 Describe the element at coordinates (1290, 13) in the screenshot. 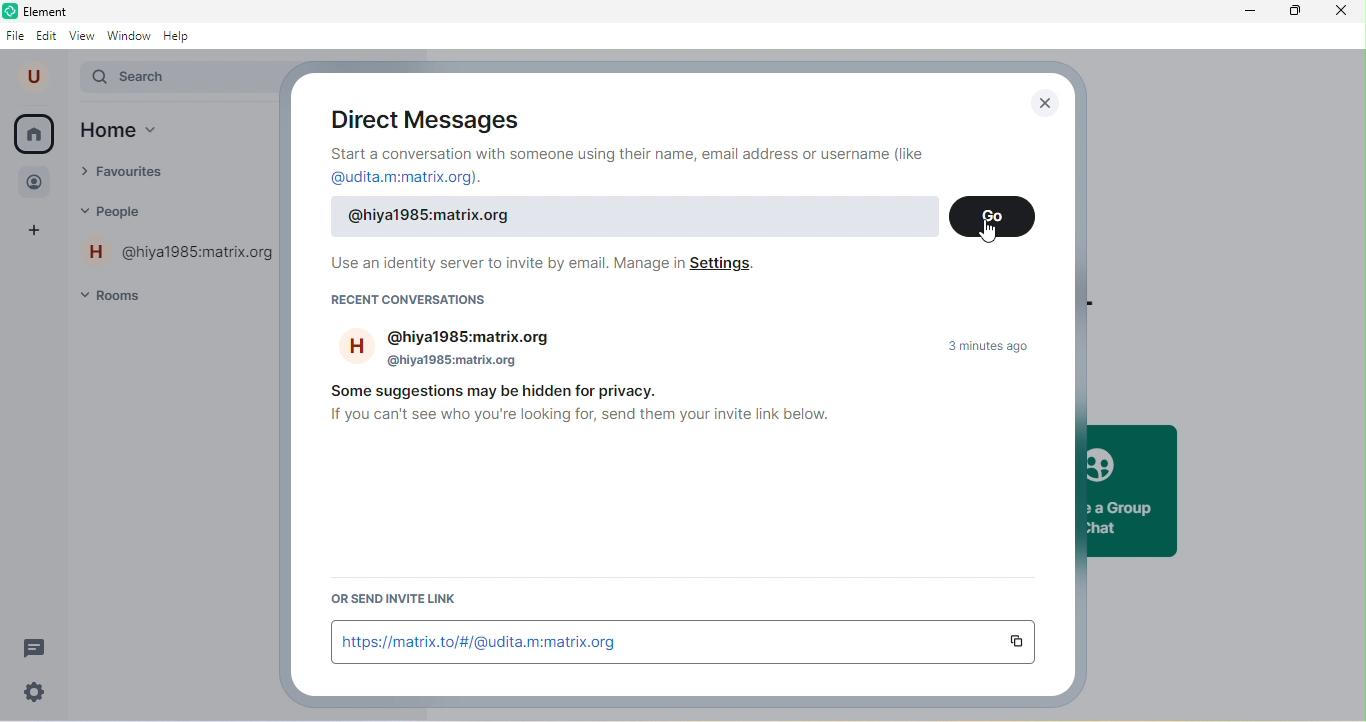

I see `maximize` at that location.